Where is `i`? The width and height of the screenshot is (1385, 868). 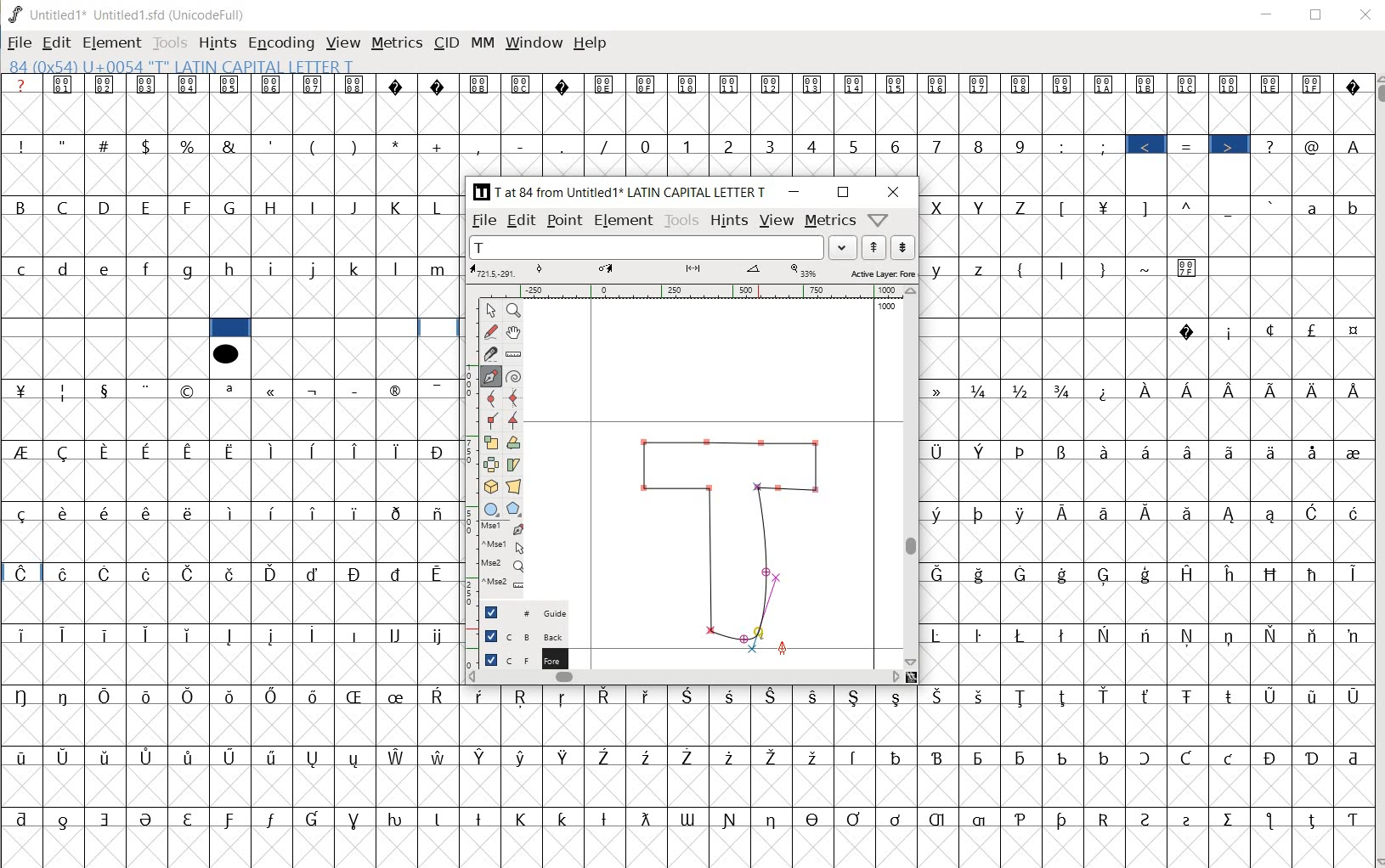 i is located at coordinates (274, 268).